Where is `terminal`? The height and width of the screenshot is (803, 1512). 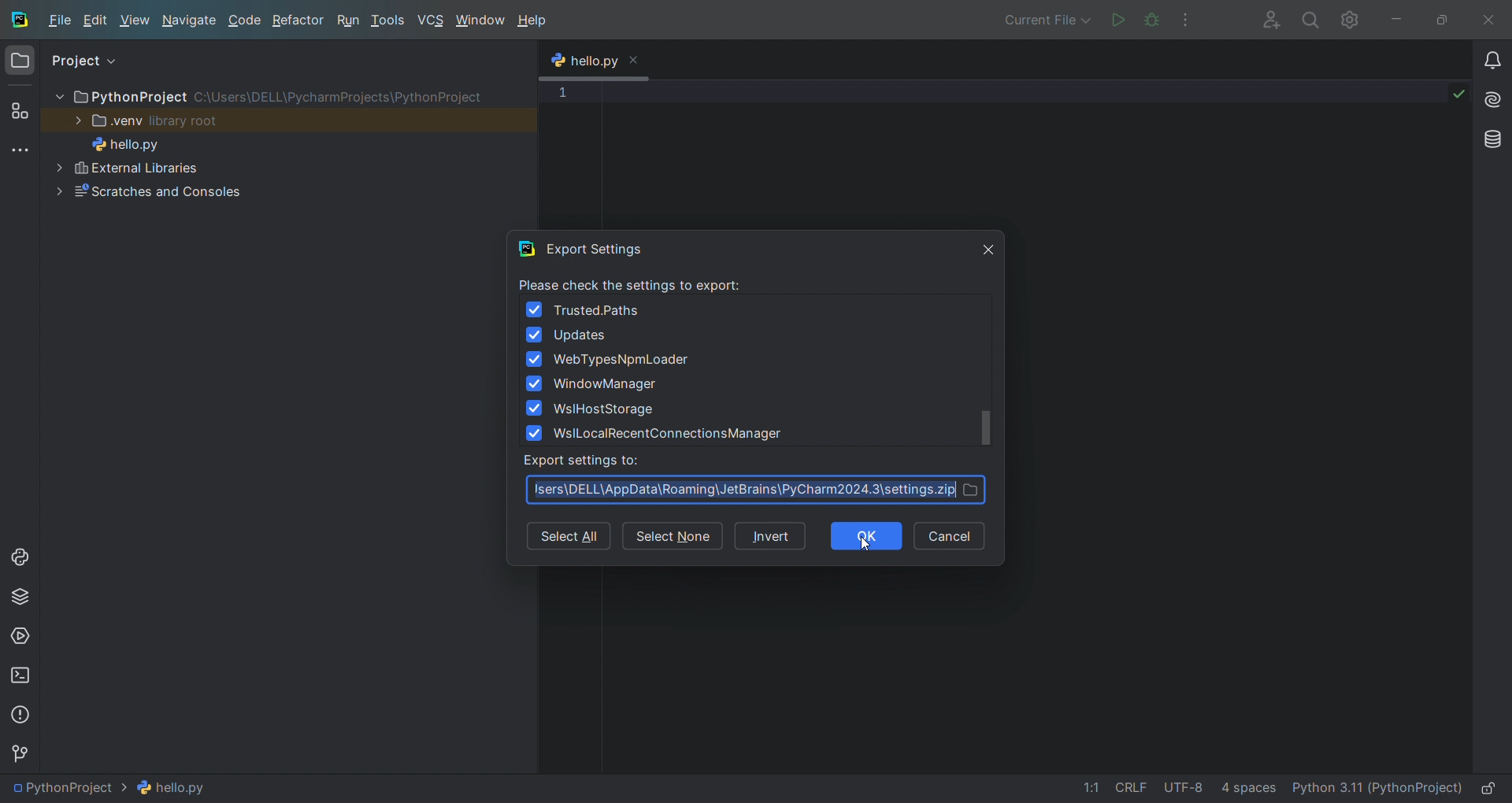
terminal is located at coordinates (20, 675).